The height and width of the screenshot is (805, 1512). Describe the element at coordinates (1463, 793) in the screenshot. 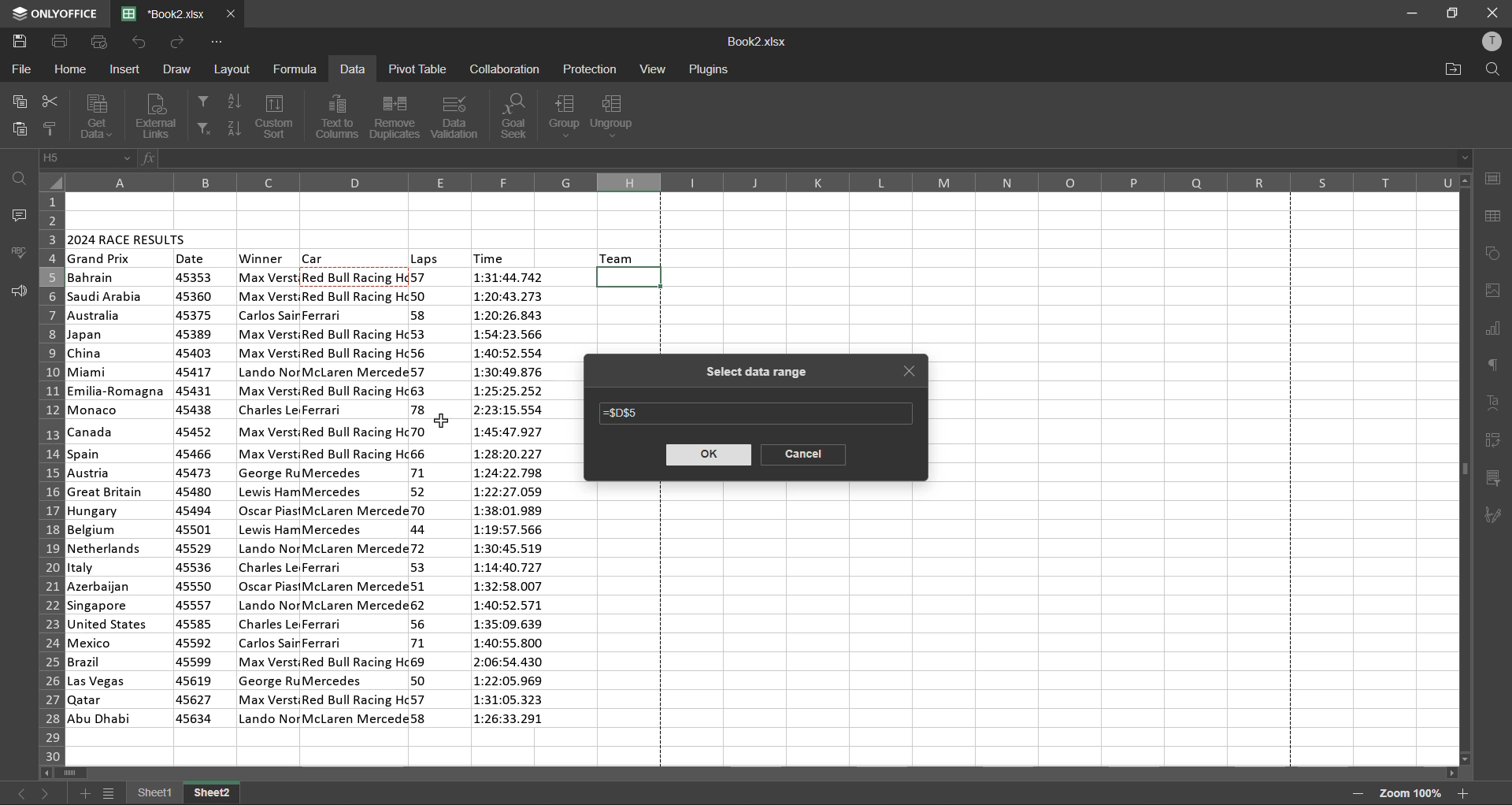

I see `zoom in` at that location.